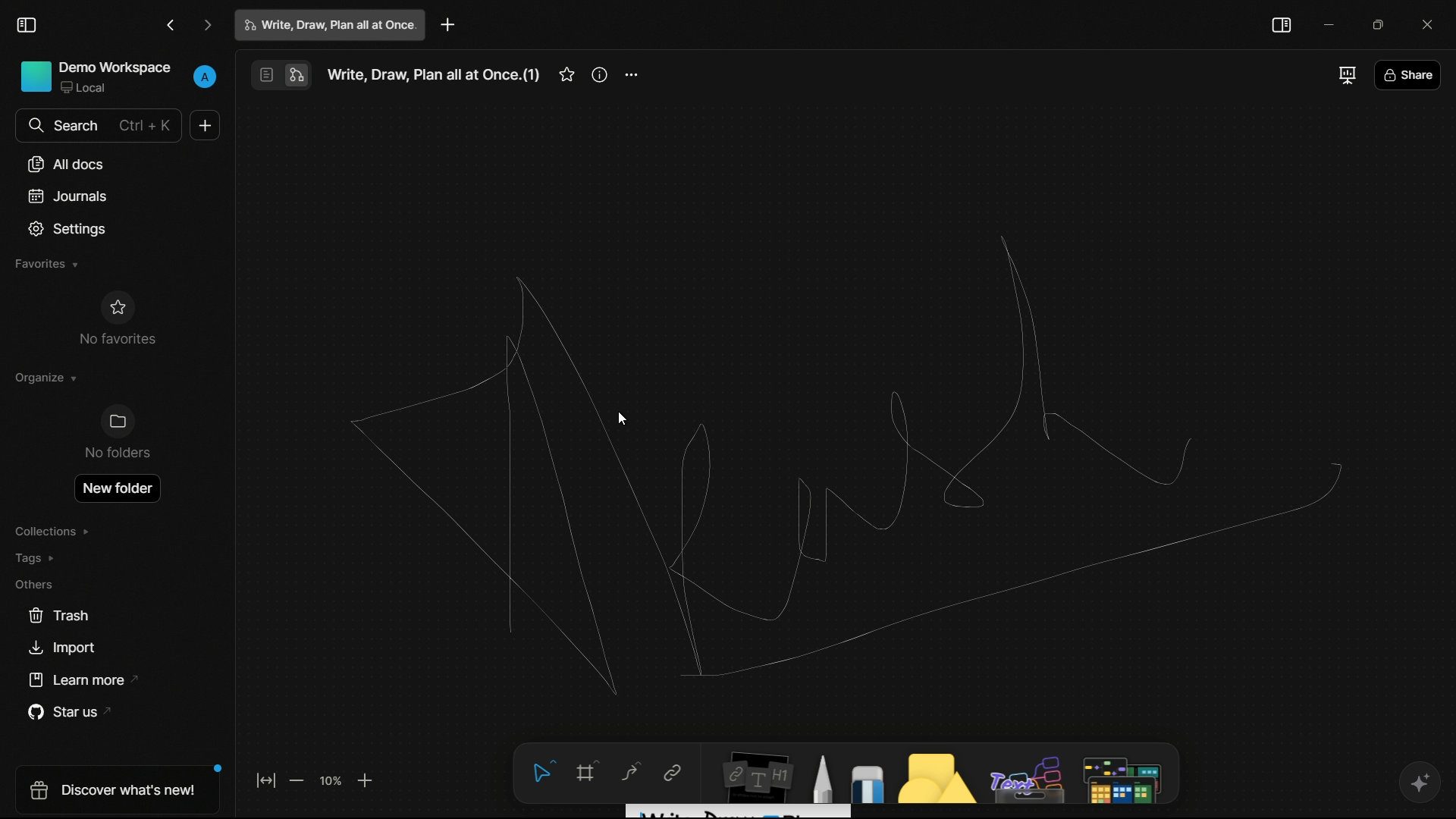  Describe the element at coordinates (102, 127) in the screenshot. I see `search bar` at that location.